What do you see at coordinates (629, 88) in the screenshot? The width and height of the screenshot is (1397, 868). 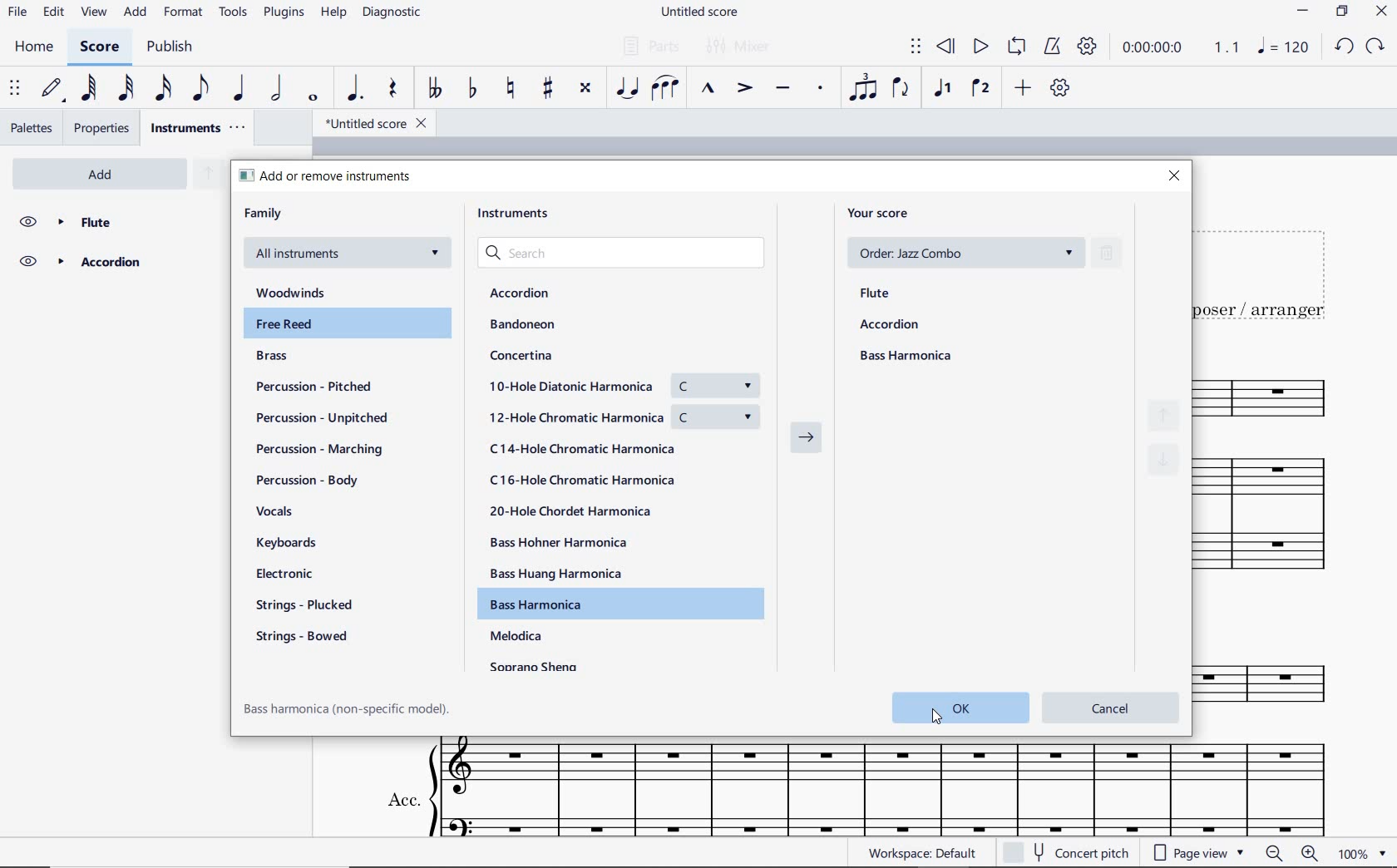 I see `tie` at bounding box center [629, 88].